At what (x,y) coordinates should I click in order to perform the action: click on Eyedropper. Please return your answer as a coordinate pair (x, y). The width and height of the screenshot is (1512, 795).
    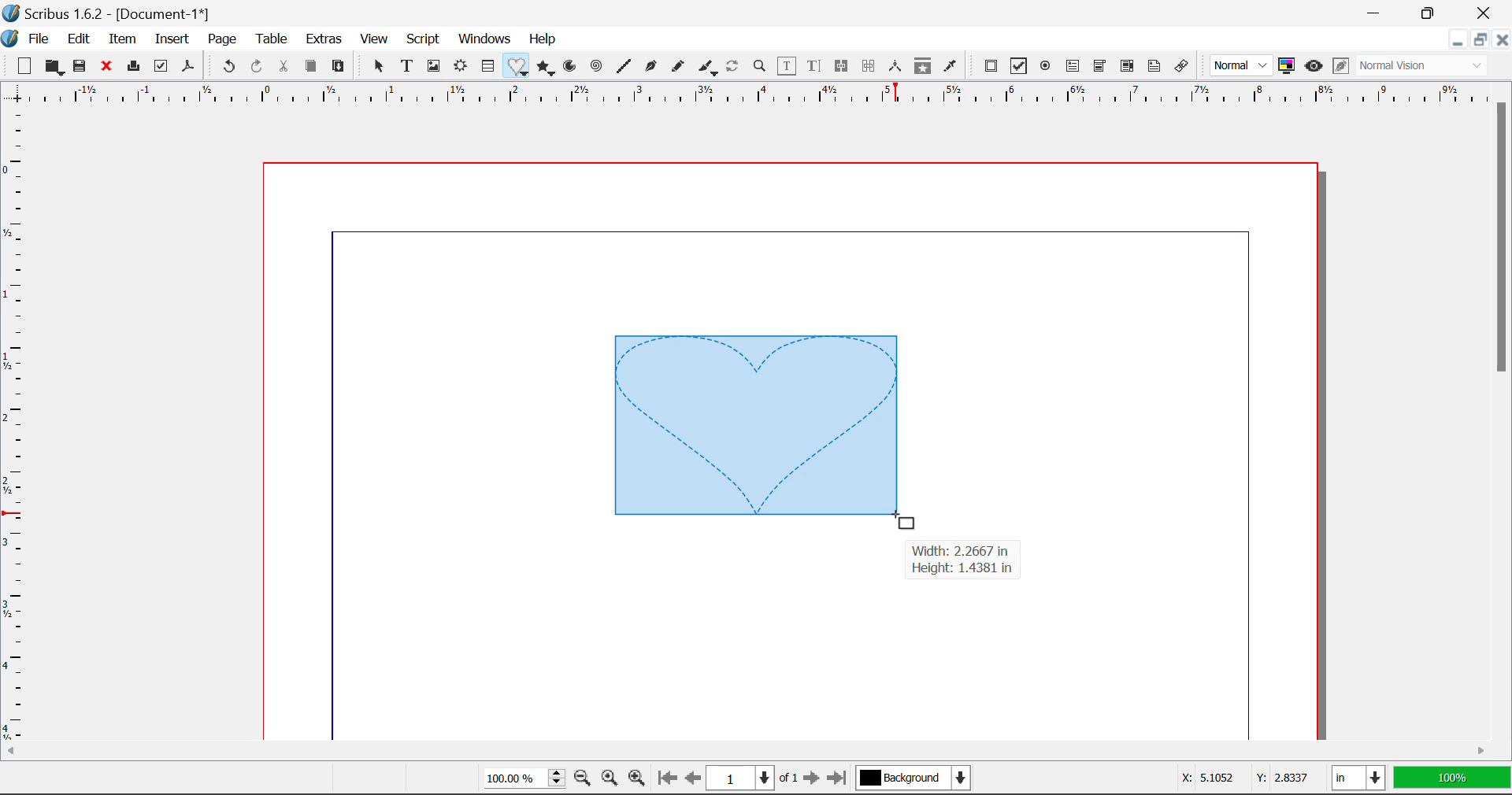
    Looking at the image, I should click on (951, 66).